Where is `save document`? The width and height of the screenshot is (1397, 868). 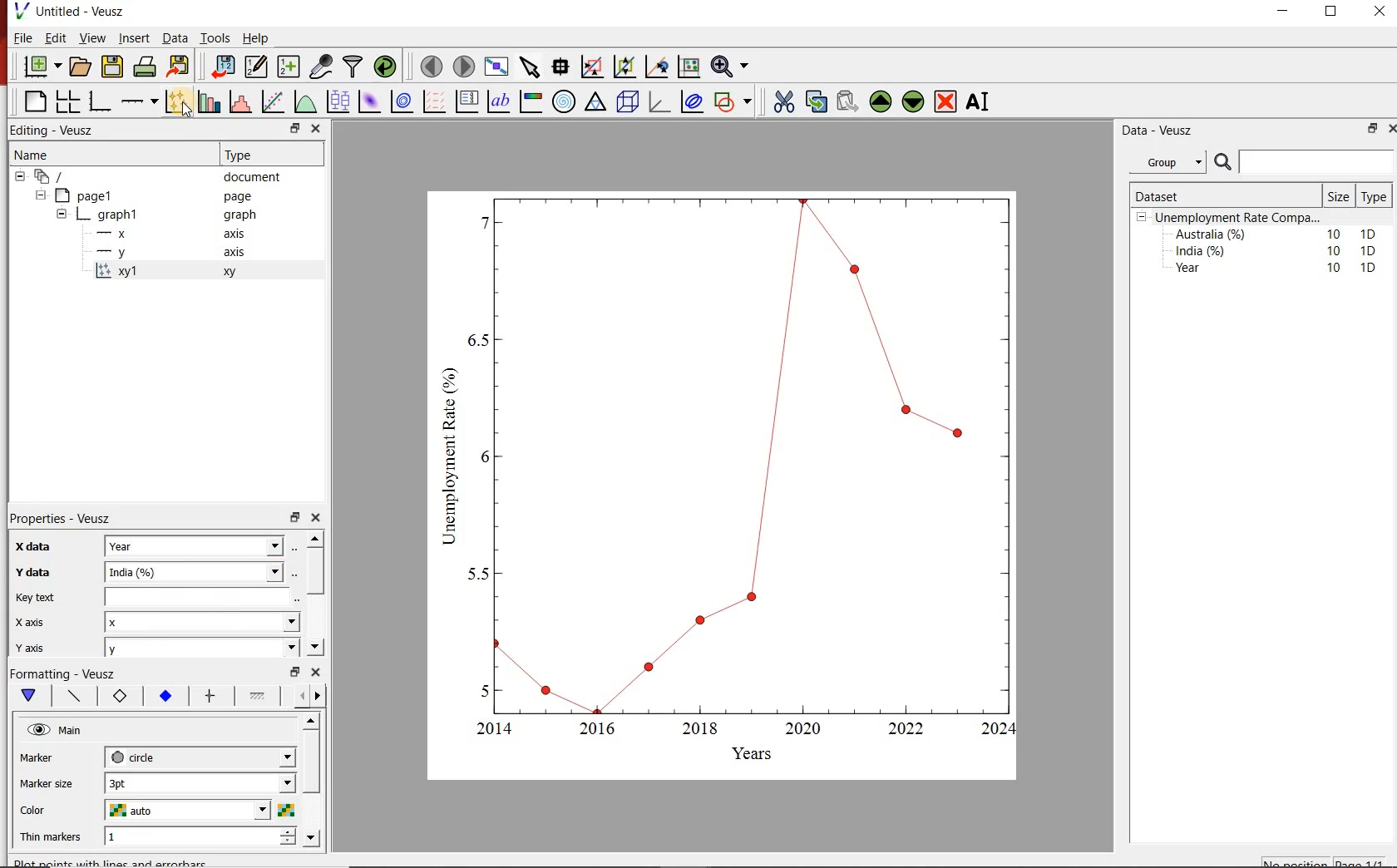
save document is located at coordinates (112, 66).